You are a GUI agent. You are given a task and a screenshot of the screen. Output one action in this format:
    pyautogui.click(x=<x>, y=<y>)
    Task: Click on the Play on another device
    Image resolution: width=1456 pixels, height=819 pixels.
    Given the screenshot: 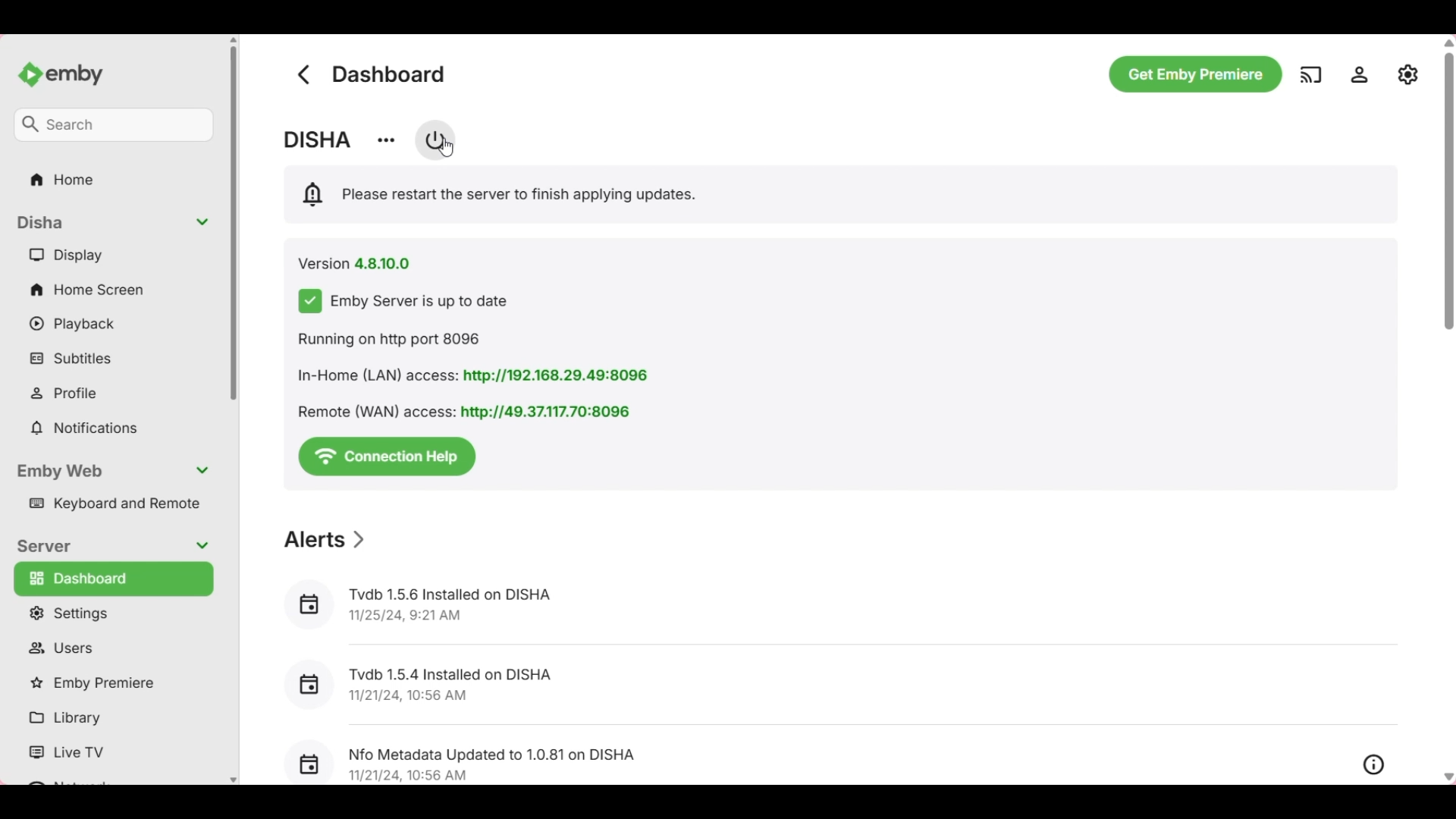 What is the action you would take?
    pyautogui.click(x=1310, y=74)
    